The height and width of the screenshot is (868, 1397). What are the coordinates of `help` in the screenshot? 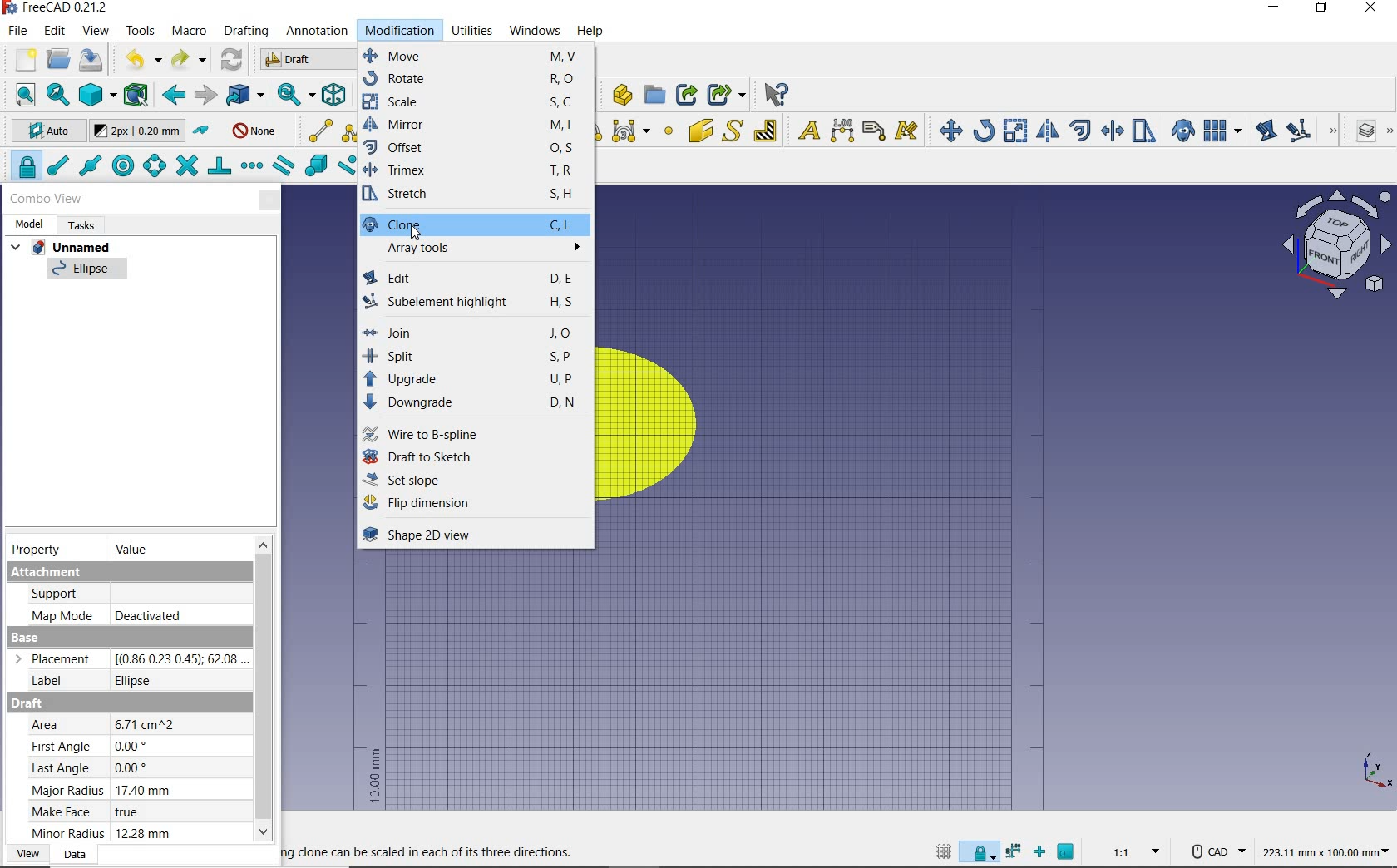 It's located at (592, 32).